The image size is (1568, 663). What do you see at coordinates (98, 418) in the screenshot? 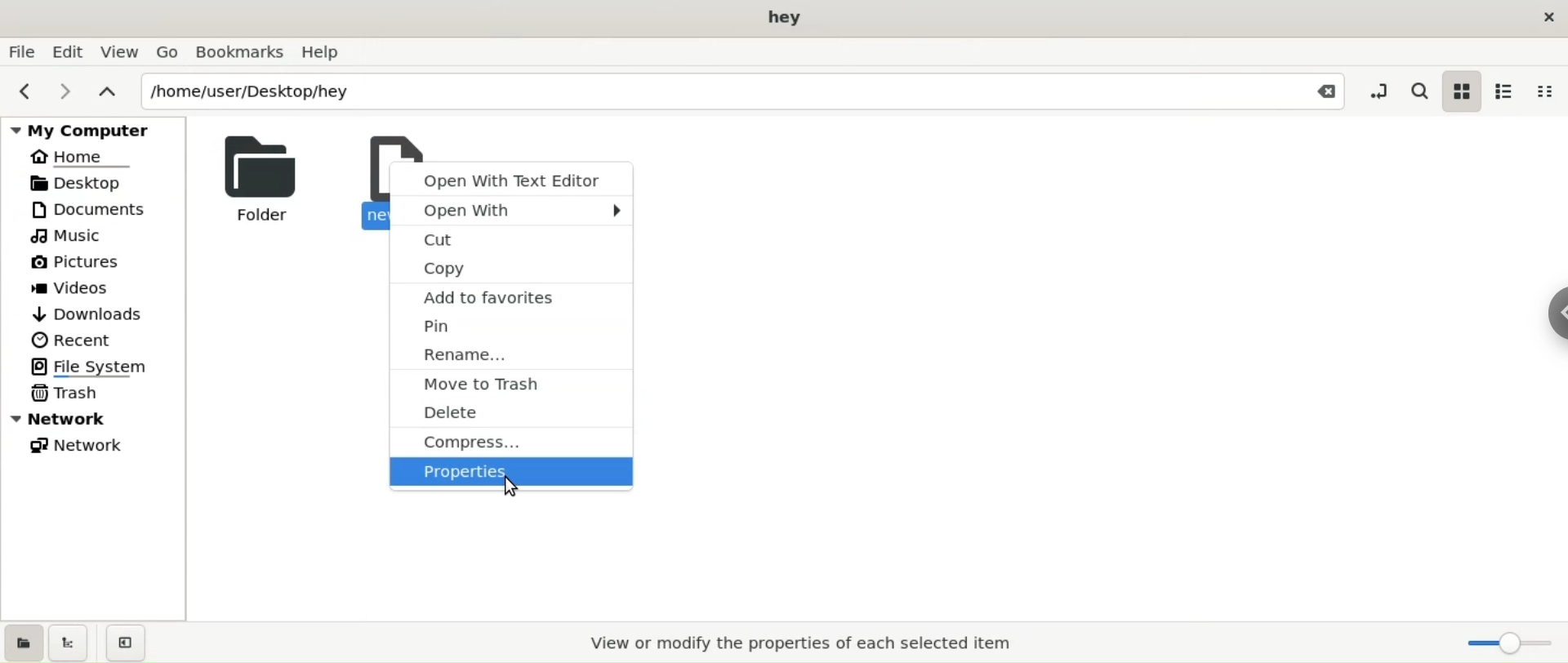
I see `Network` at bounding box center [98, 418].